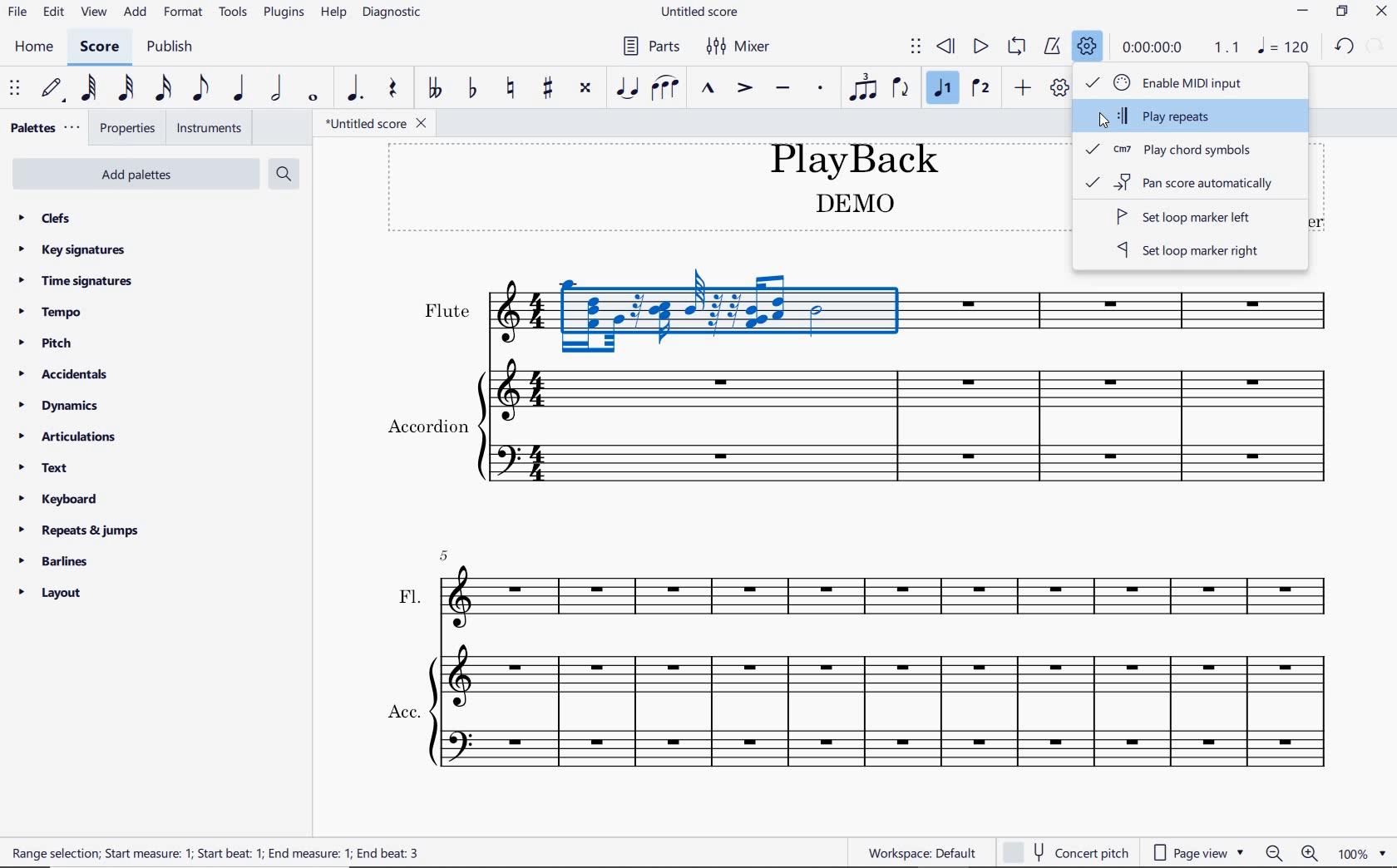 The width and height of the screenshot is (1397, 868). I want to click on tempo, so click(49, 311).